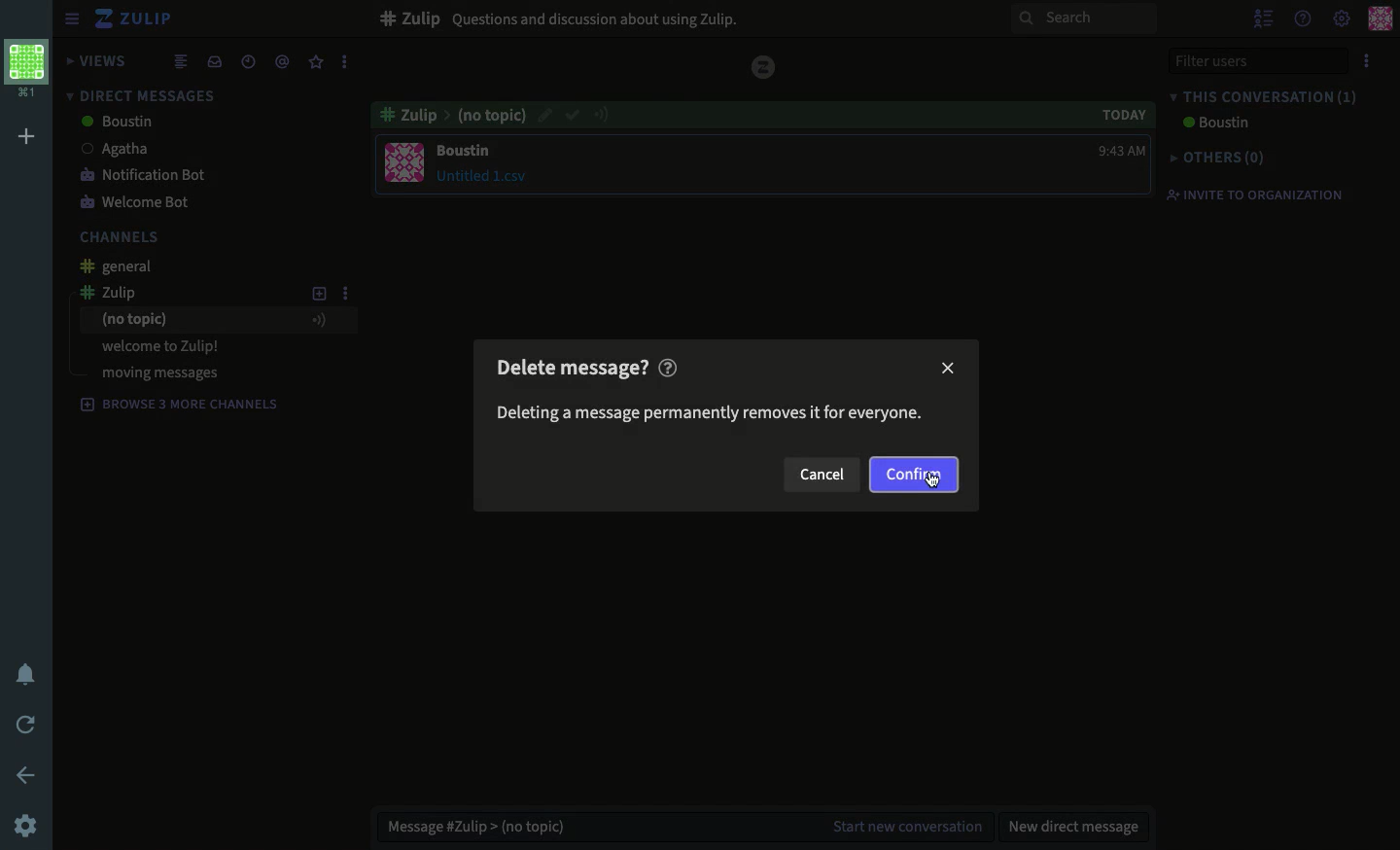  I want to click on cancel, so click(822, 472).